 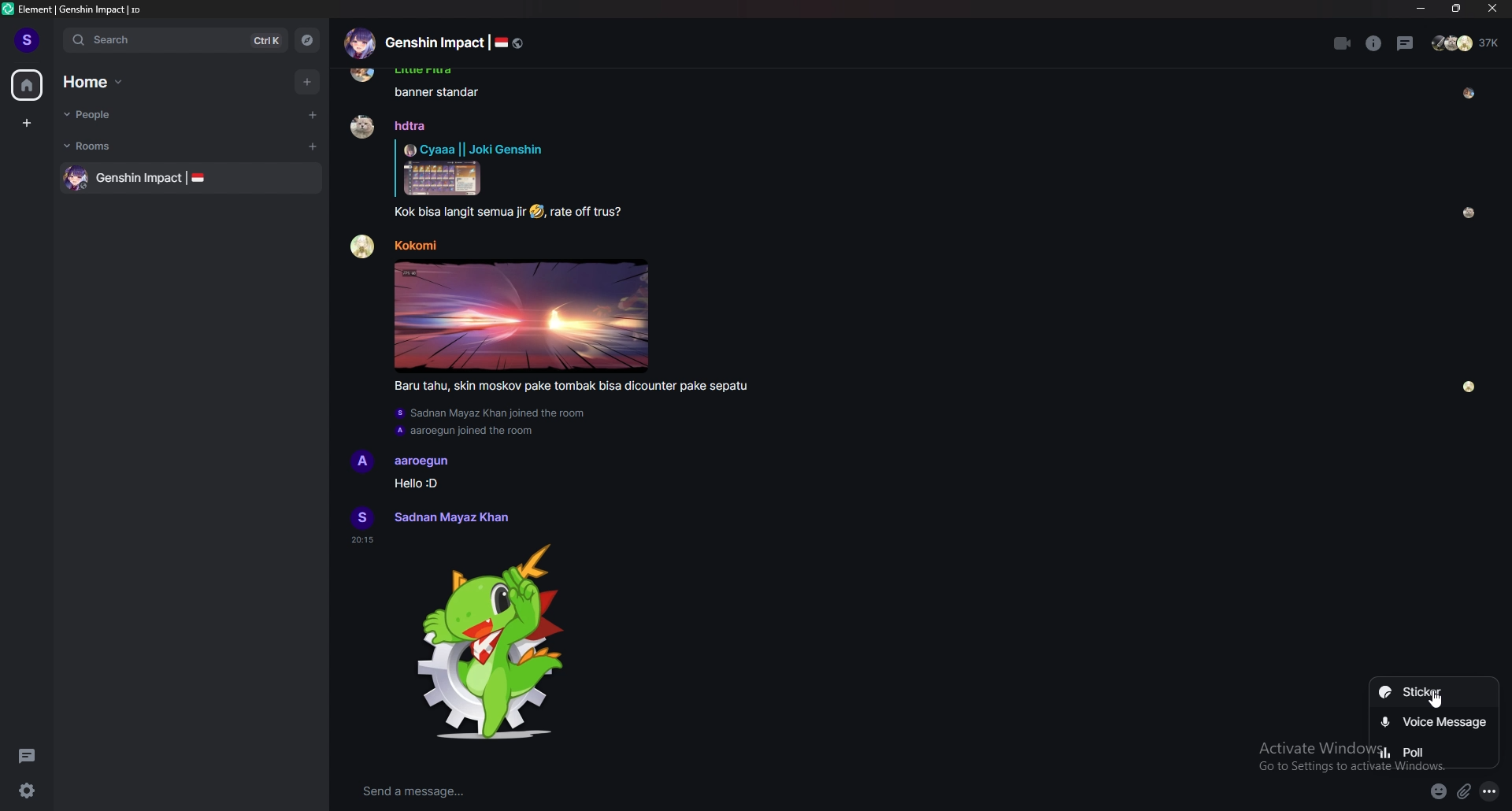 I want to click on 20:15, so click(x=362, y=540).